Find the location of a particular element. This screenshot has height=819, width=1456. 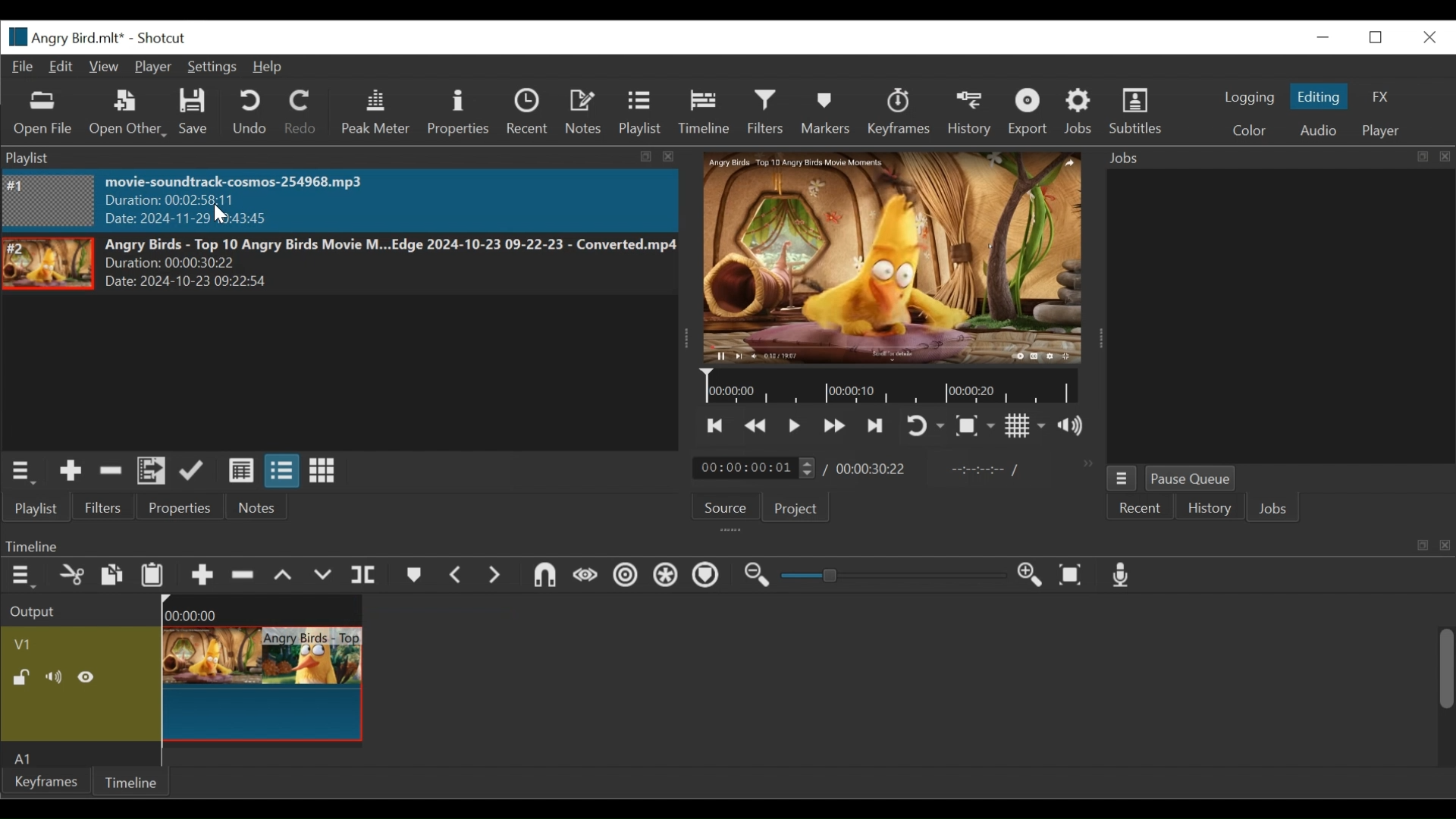

Undo is located at coordinates (251, 112).